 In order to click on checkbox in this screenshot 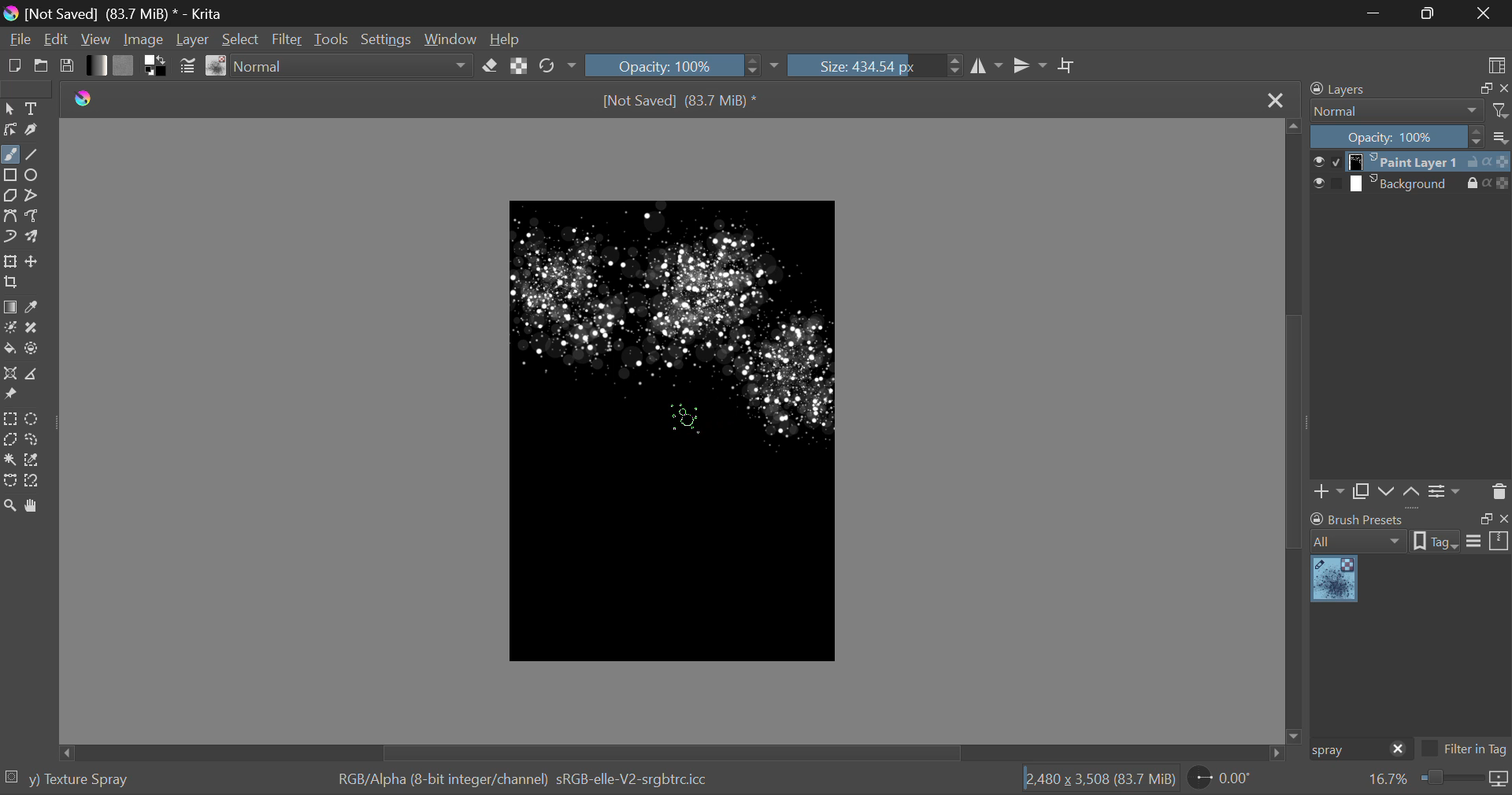, I will do `click(1327, 184)`.